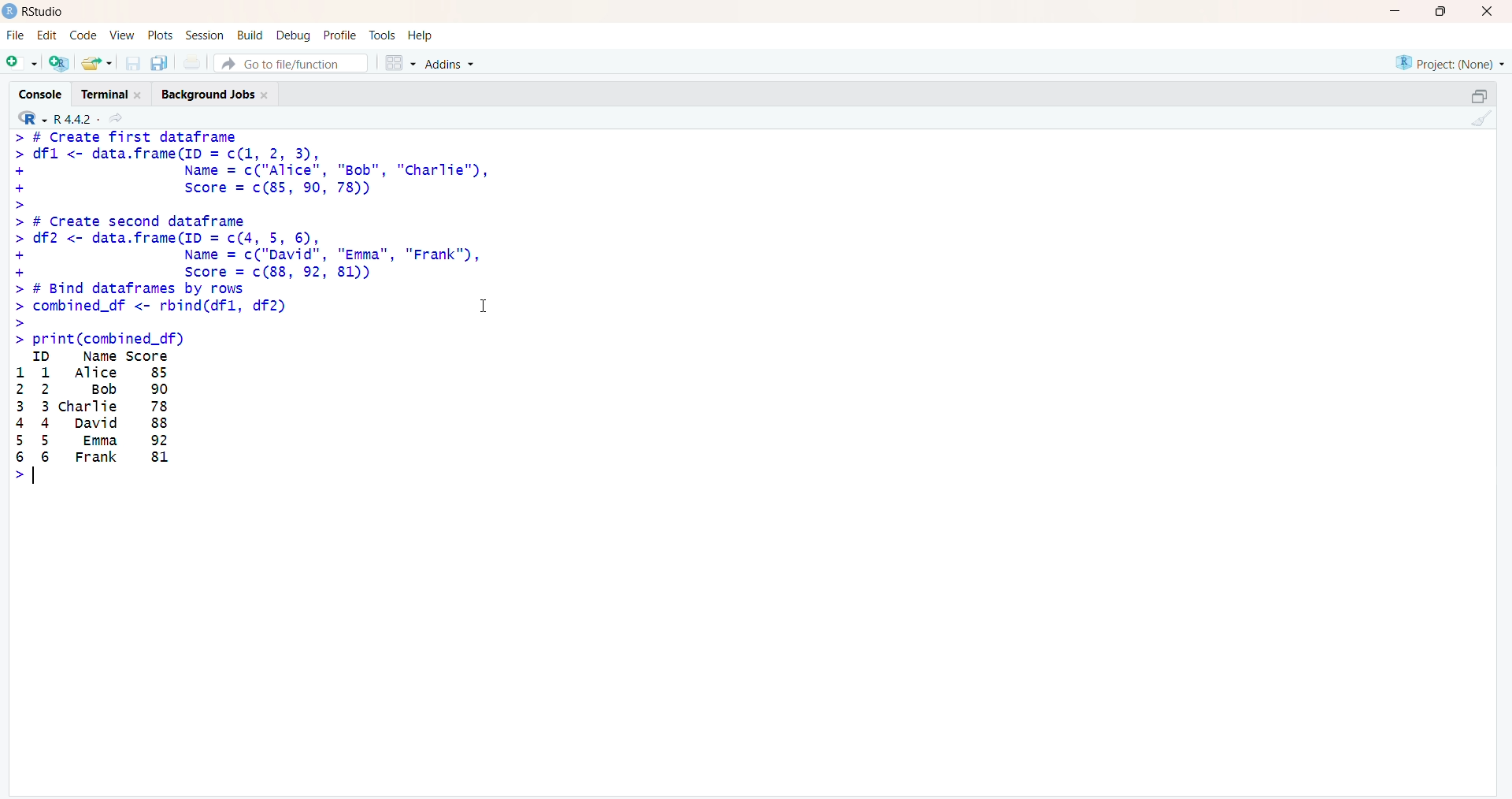 This screenshot has width=1512, height=799. I want to click on maximize, so click(1441, 11).